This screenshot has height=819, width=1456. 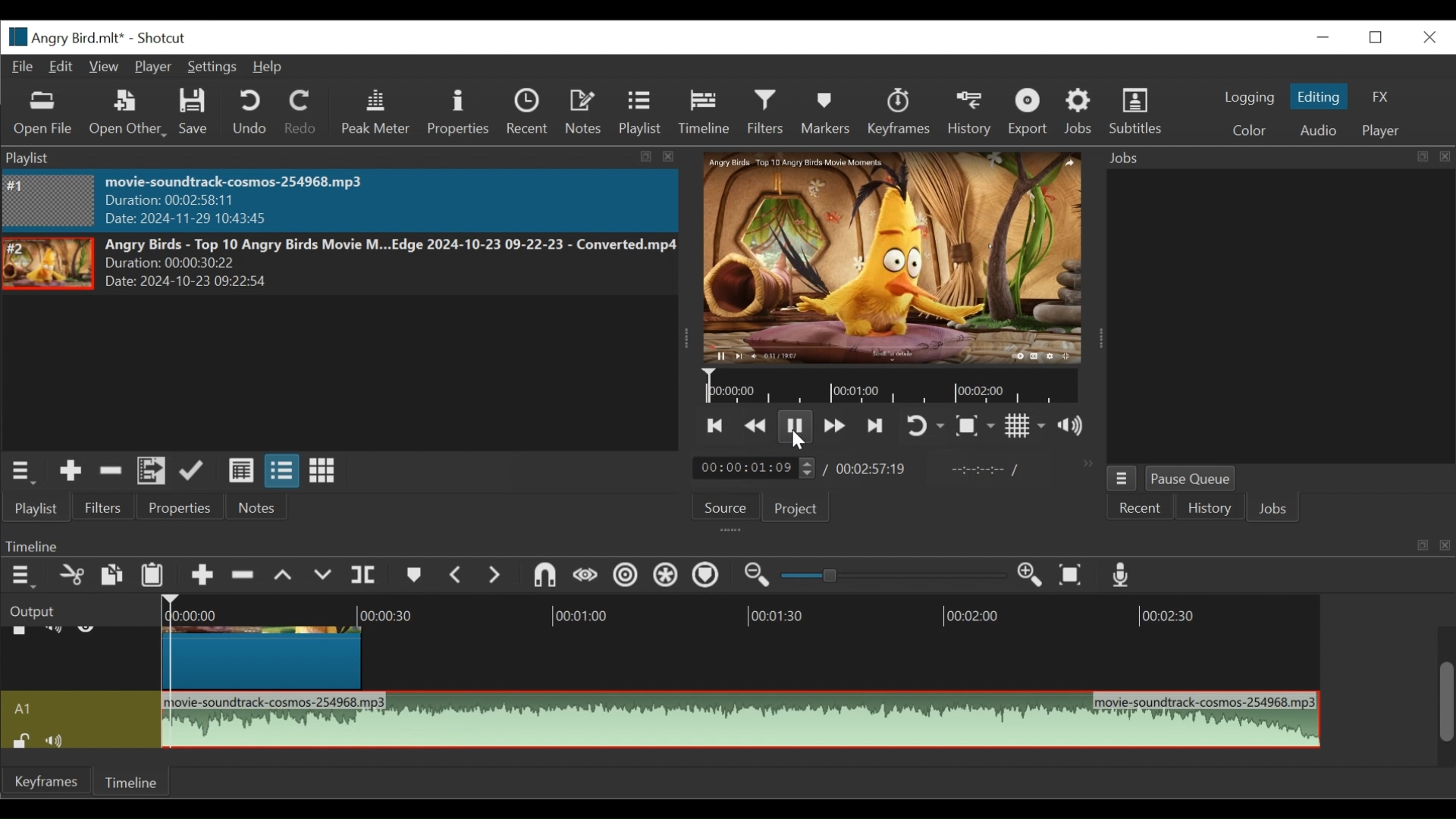 What do you see at coordinates (832, 426) in the screenshot?
I see `Play quickly forward` at bounding box center [832, 426].